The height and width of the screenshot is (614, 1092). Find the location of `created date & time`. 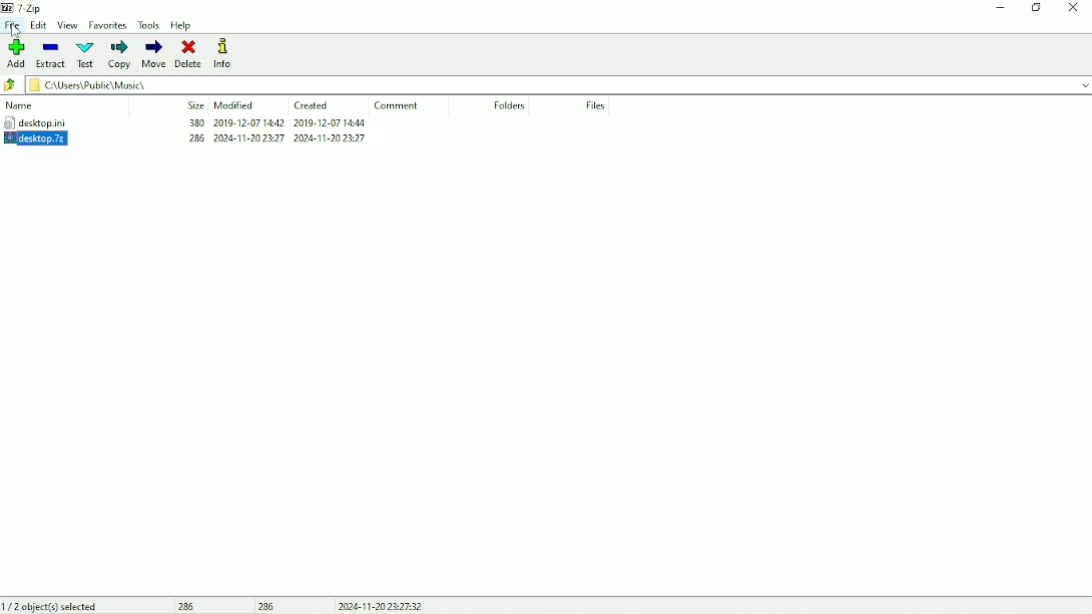

created date & time is located at coordinates (329, 122).